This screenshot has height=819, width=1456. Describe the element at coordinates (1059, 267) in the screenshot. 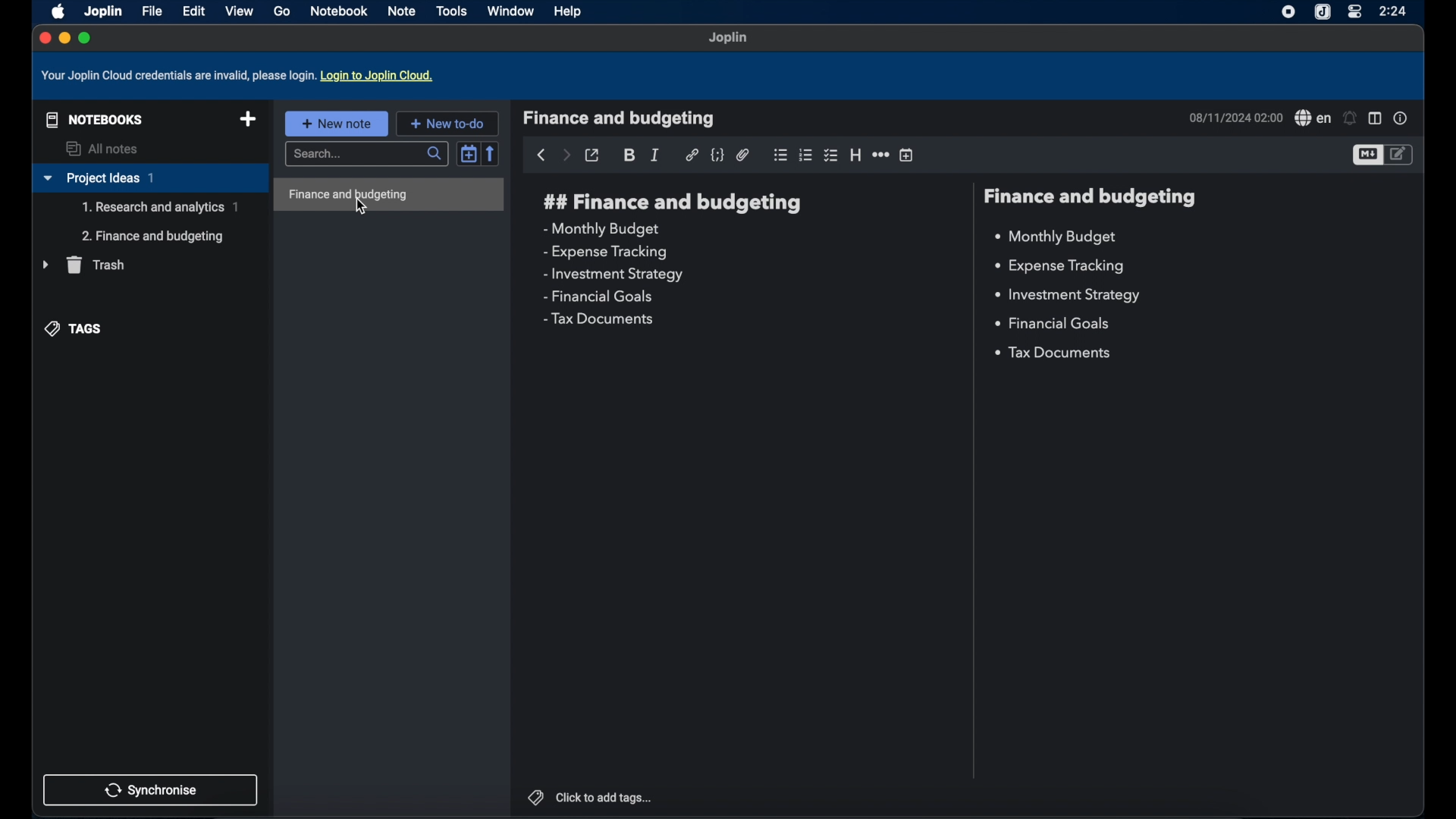

I see `expense tracking` at that location.